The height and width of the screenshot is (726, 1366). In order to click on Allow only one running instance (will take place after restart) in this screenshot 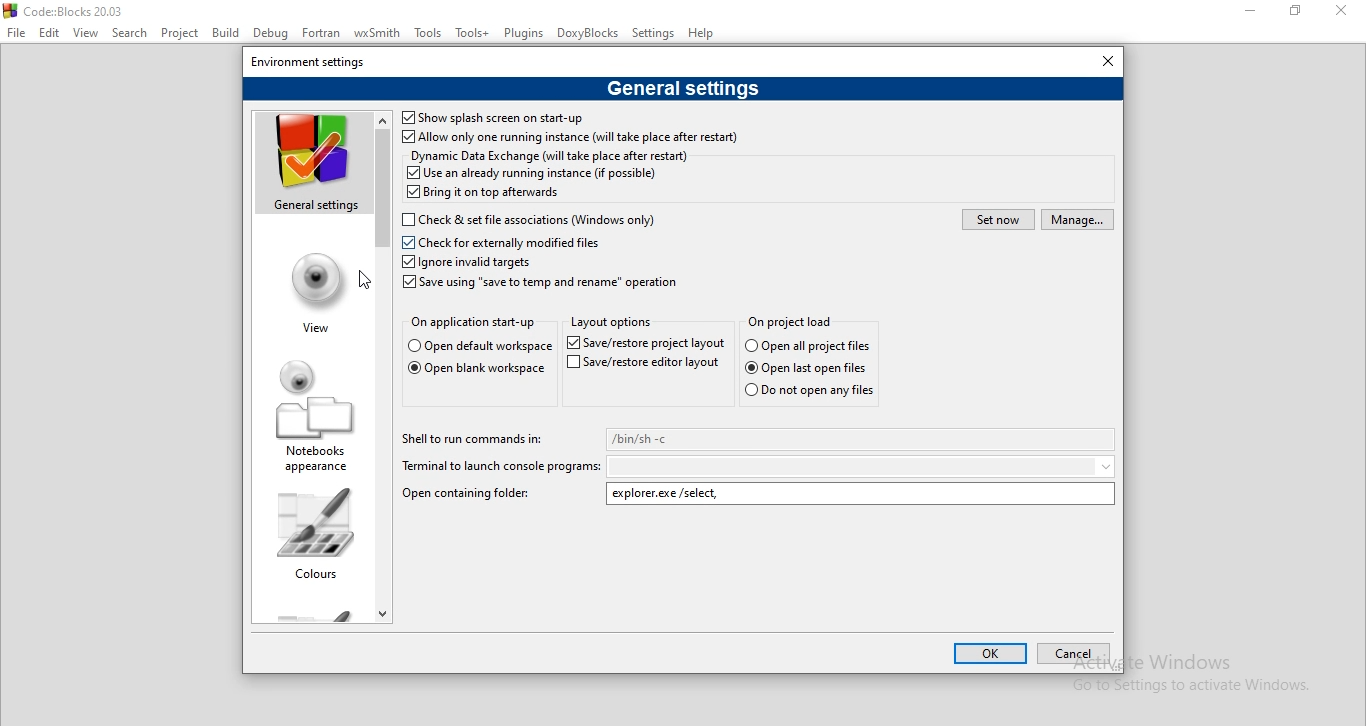, I will do `click(568, 138)`.